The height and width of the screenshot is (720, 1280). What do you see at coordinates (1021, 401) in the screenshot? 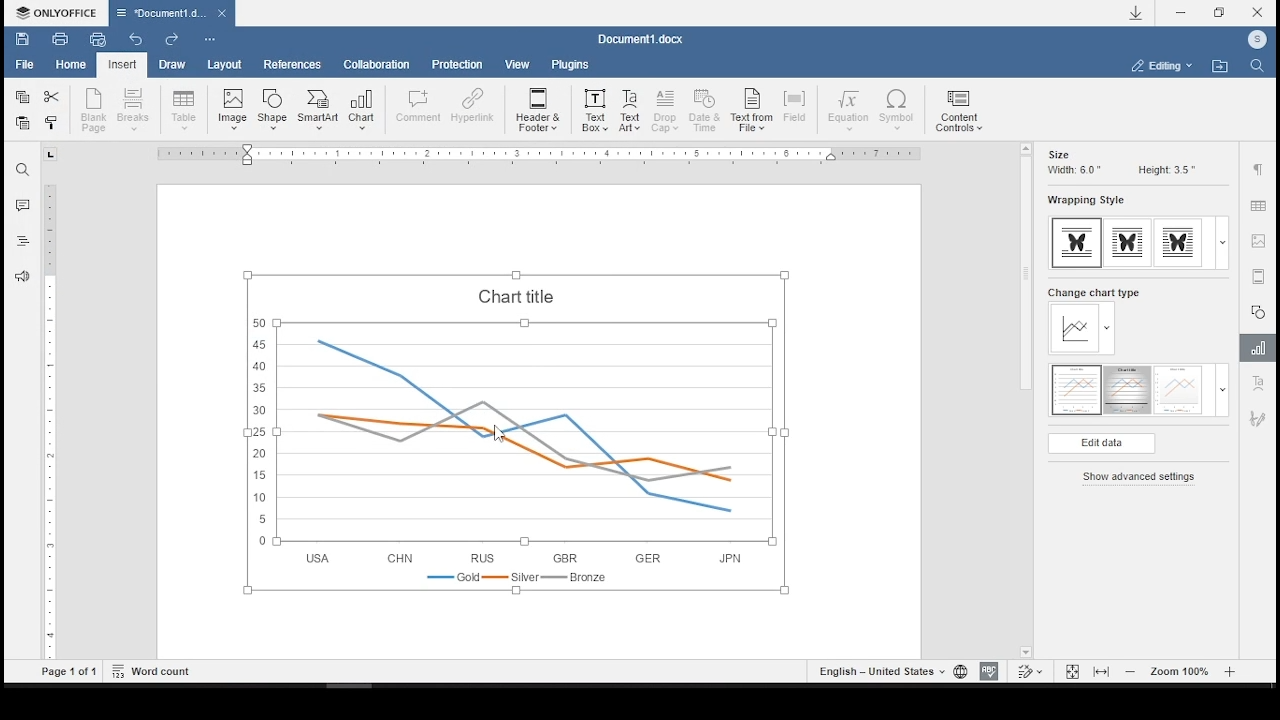
I see `scroll bar` at bounding box center [1021, 401].